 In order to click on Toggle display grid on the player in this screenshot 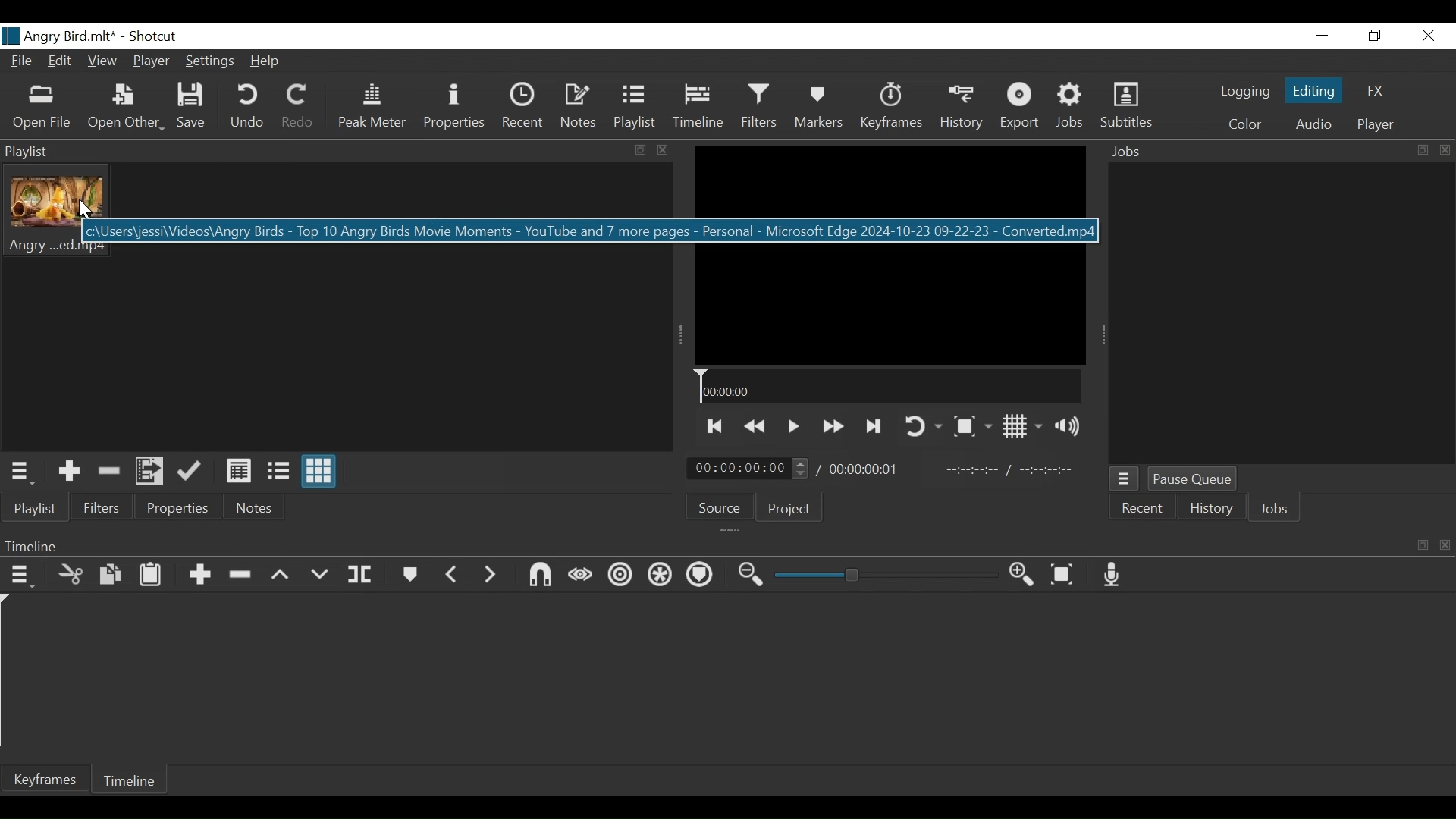, I will do `click(1022, 426)`.